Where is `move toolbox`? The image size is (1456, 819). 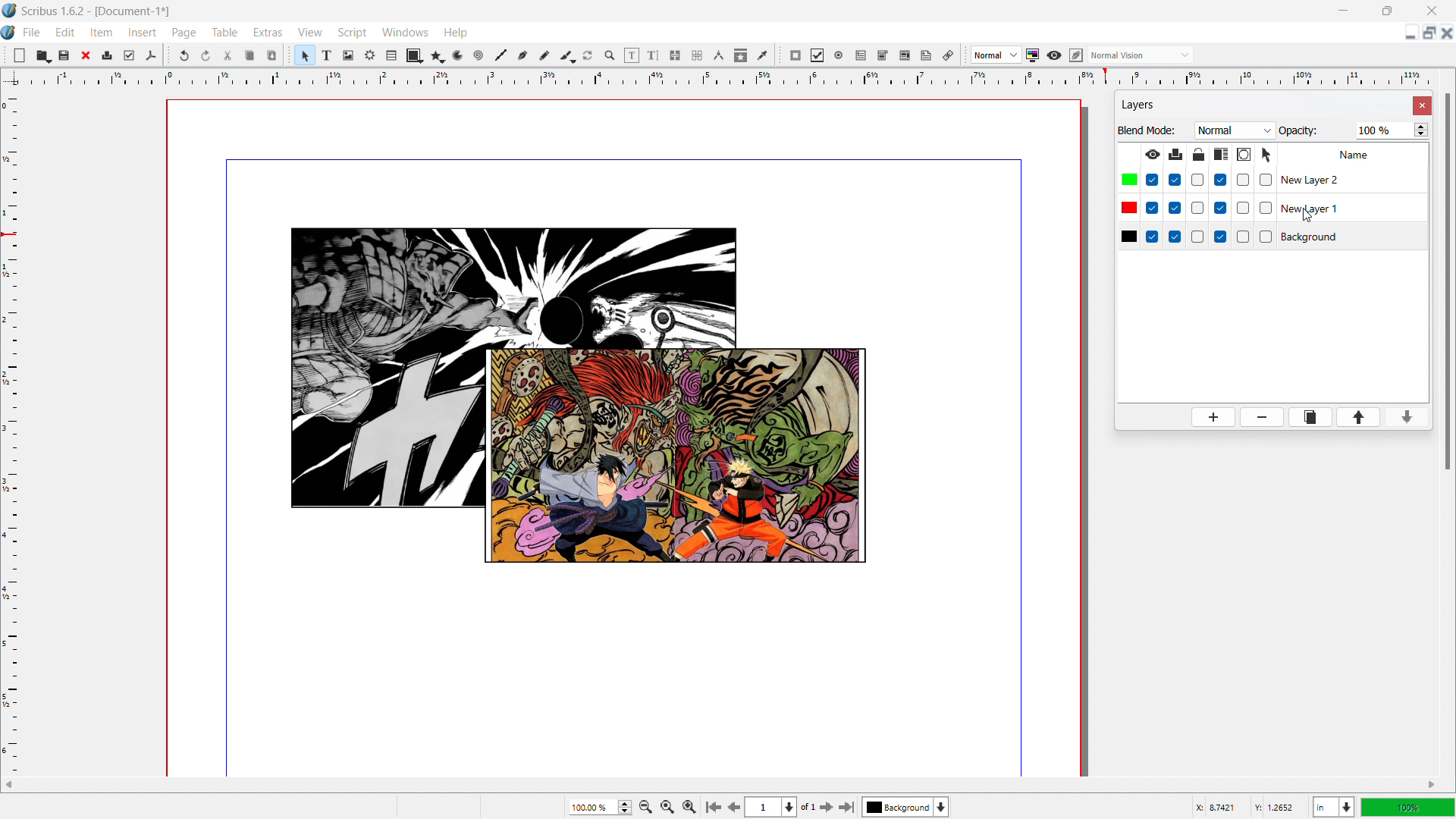
move toolbox is located at coordinates (168, 54).